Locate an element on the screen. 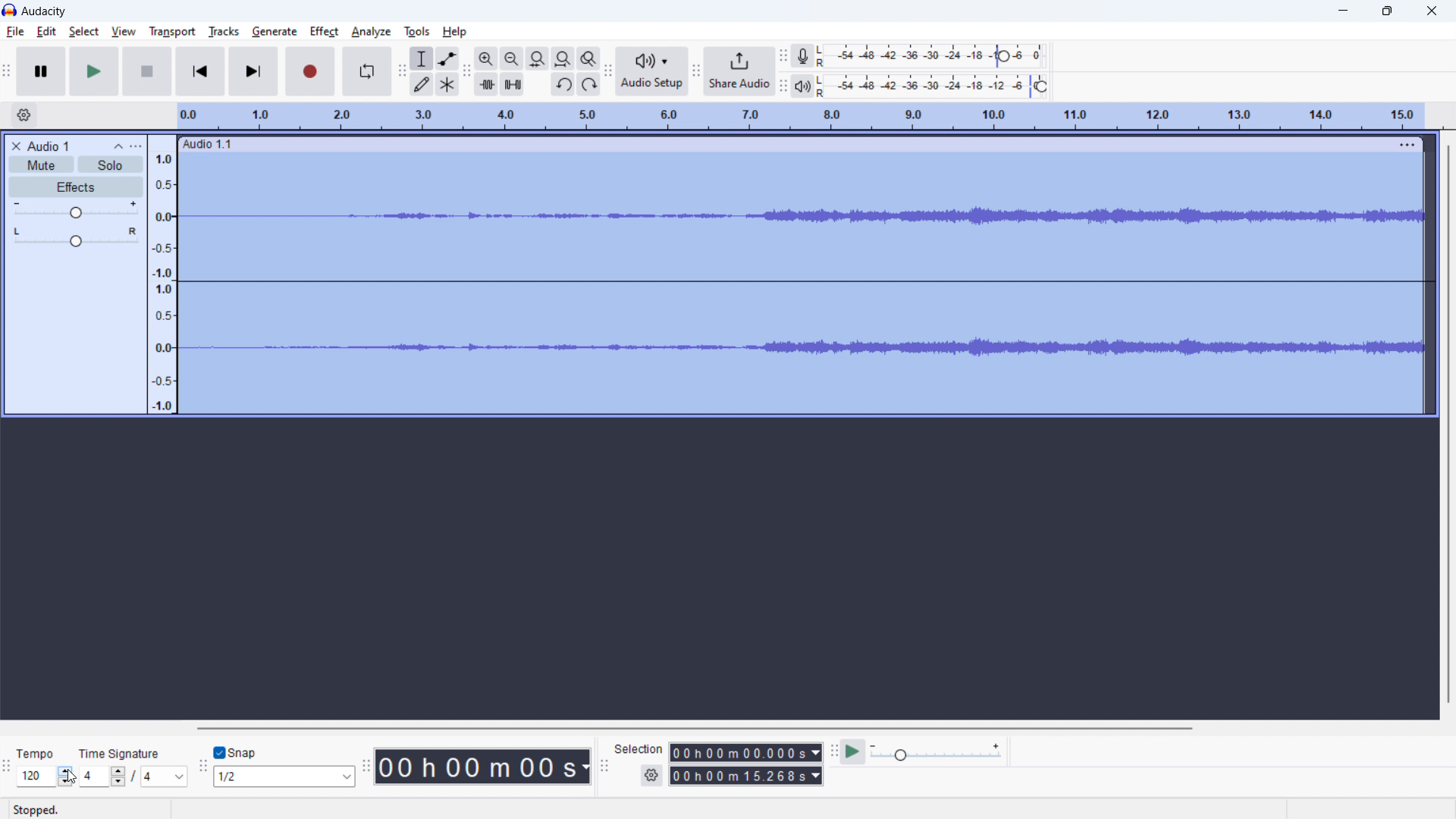 Image resolution: width=1456 pixels, height=819 pixels. horizontal scrollbar is located at coordinates (690, 731).